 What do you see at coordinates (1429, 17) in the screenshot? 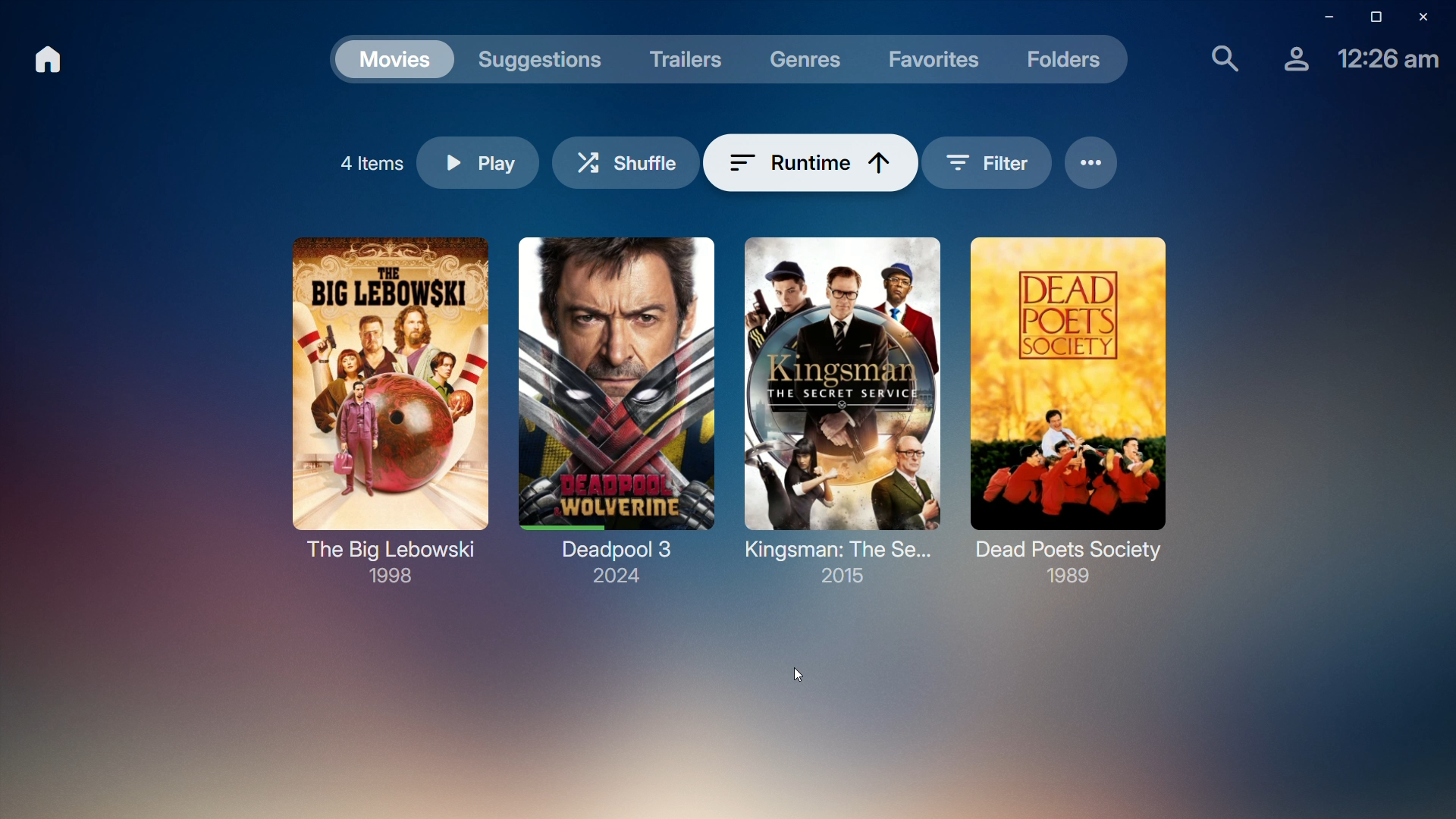
I see `Close` at bounding box center [1429, 17].